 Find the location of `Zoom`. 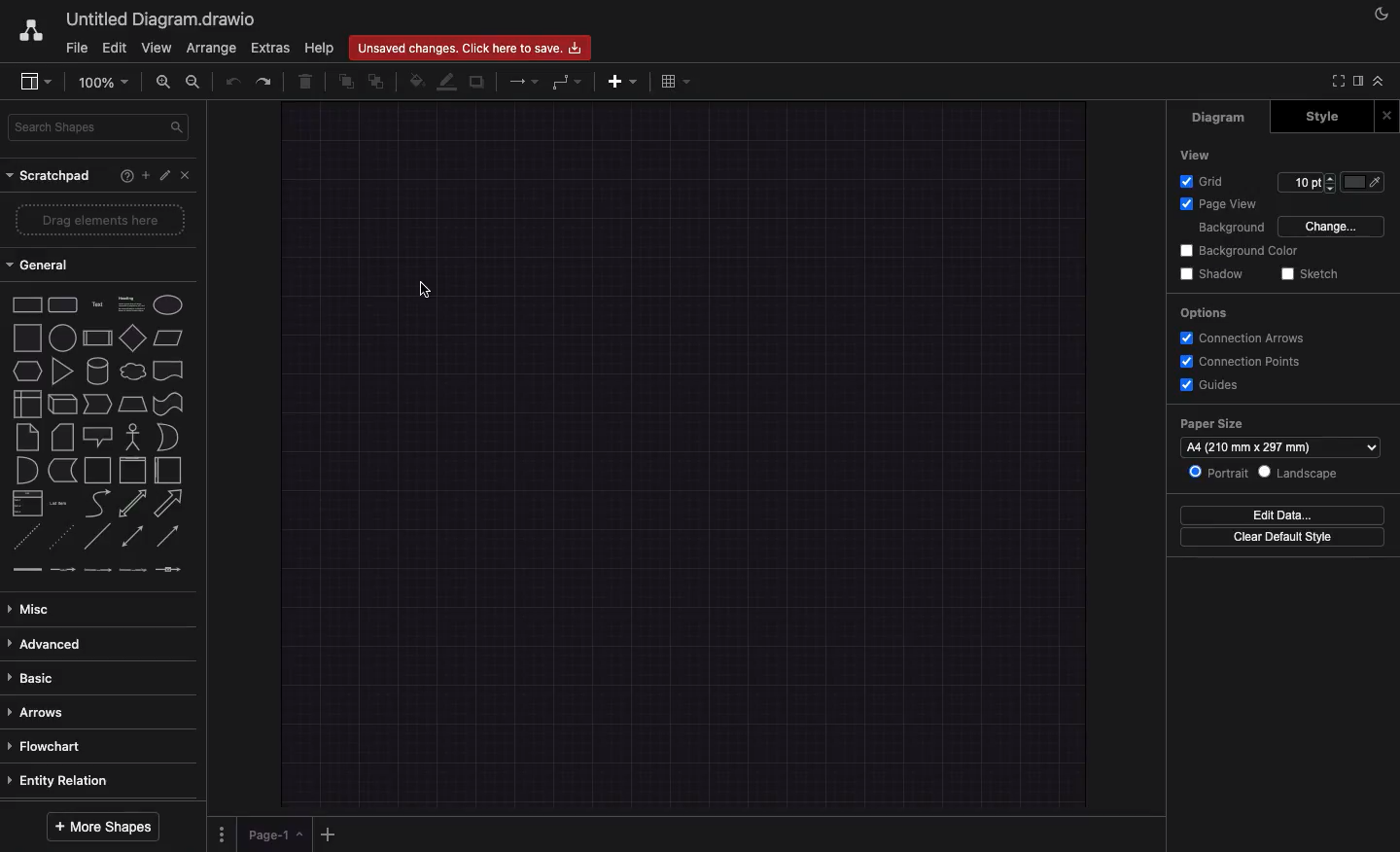

Zoom is located at coordinates (102, 81).